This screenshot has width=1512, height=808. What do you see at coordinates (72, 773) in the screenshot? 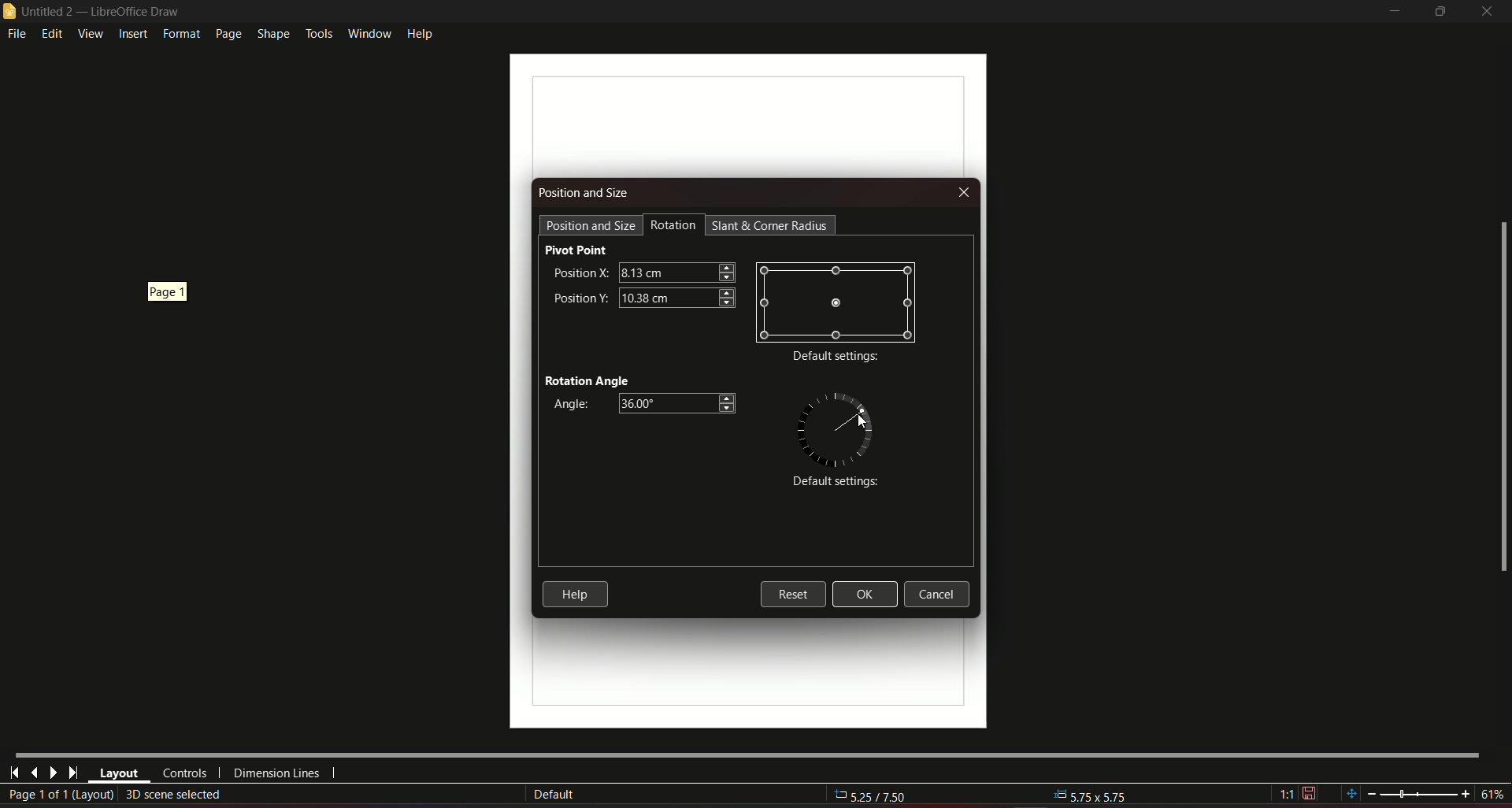
I see `last page` at bounding box center [72, 773].